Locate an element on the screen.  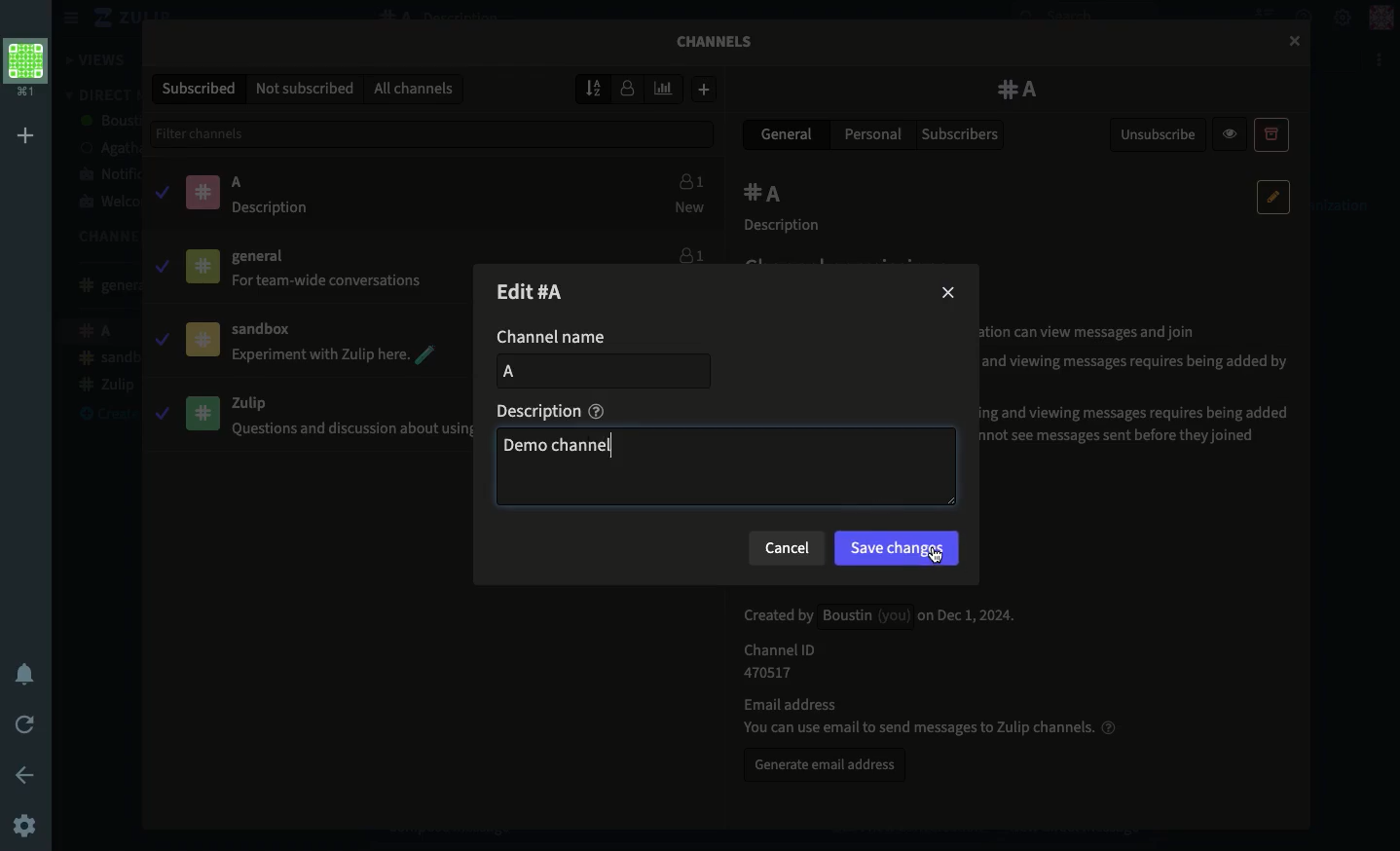
Add is located at coordinates (29, 135).